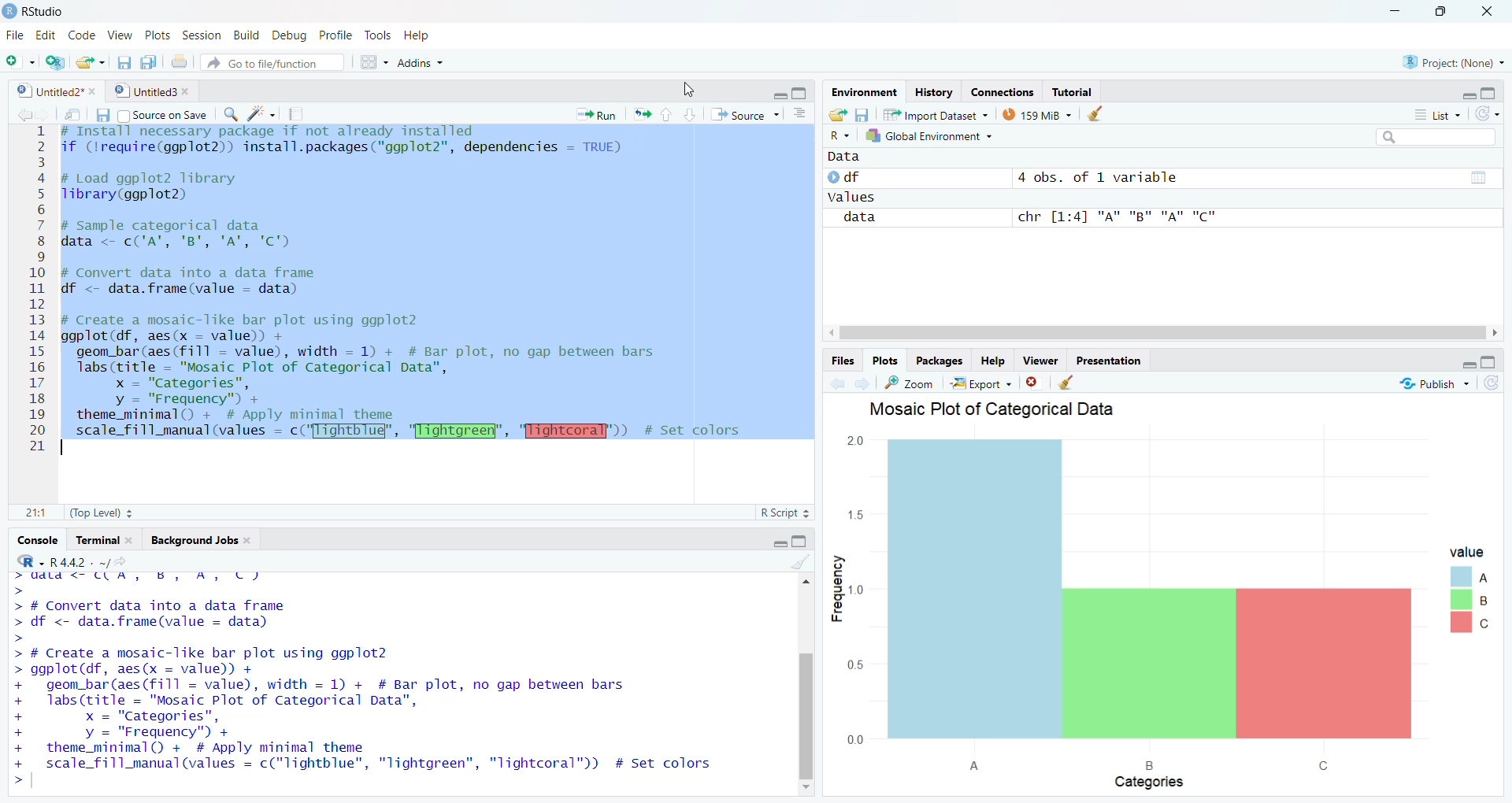  Describe the element at coordinates (1107, 361) in the screenshot. I see `Presentation` at that location.